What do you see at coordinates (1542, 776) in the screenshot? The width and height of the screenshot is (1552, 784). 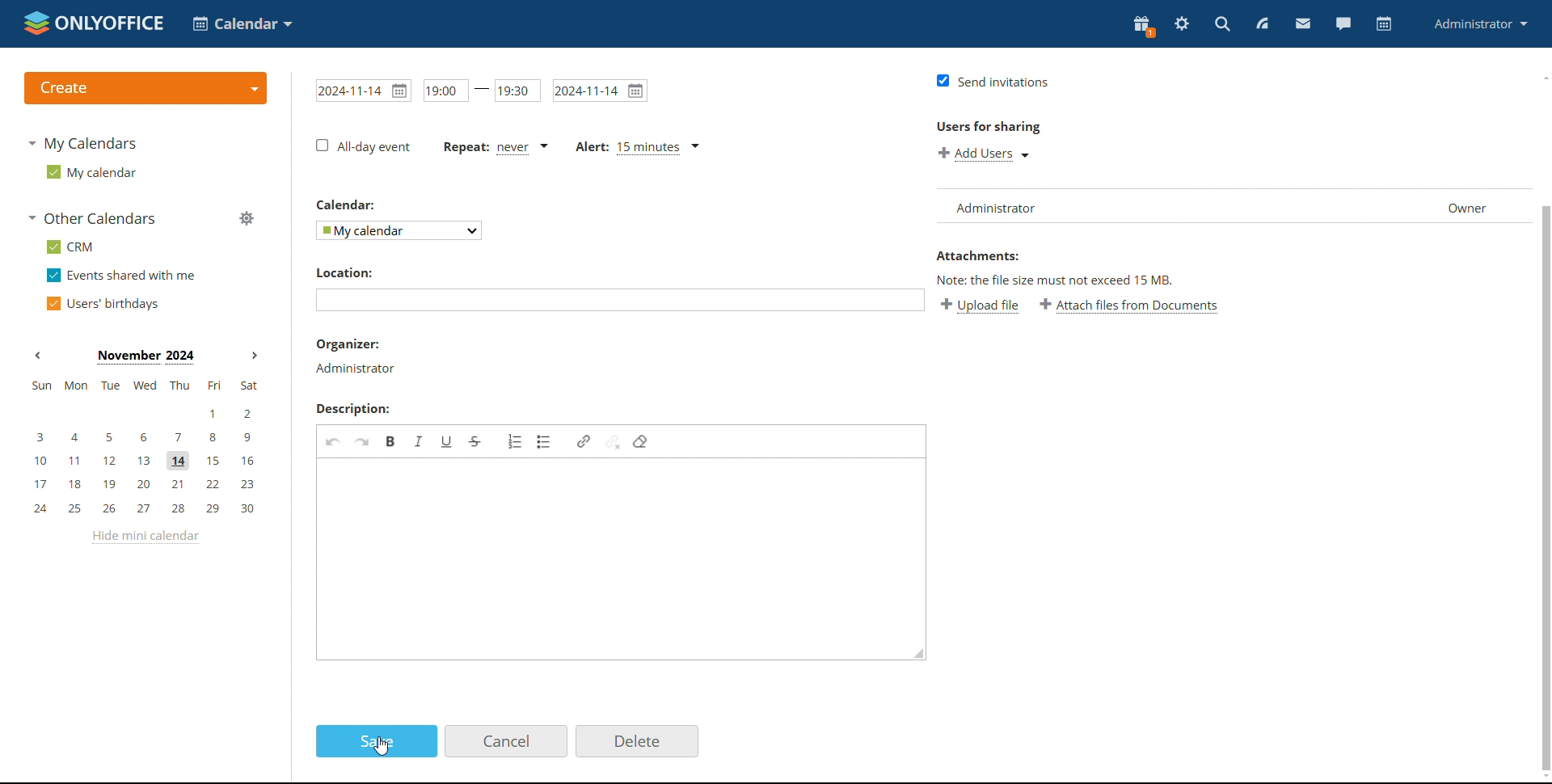 I see `scroll down` at bounding box center [1542, 776].